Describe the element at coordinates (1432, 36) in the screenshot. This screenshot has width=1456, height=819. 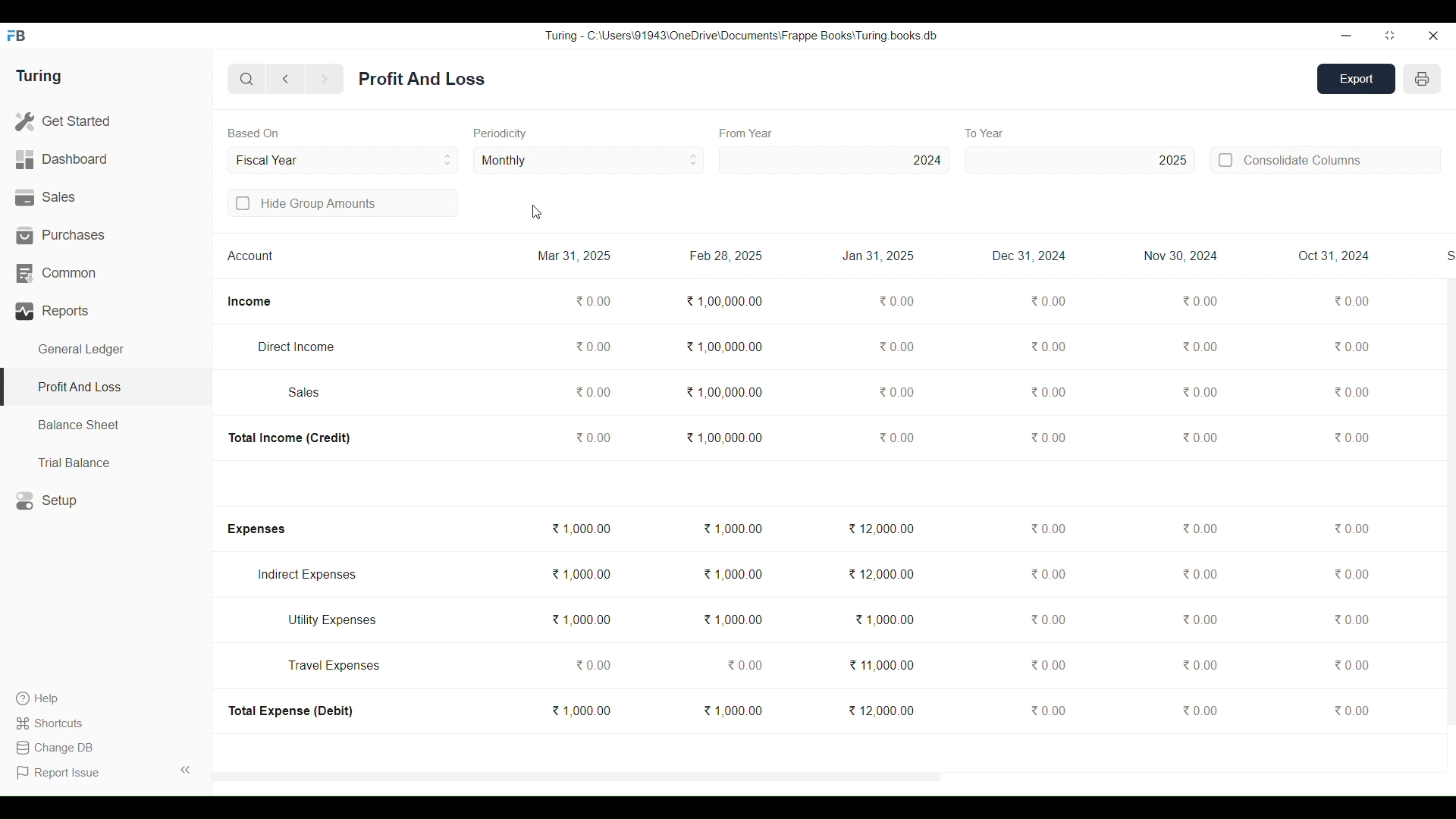
I see `Close` at that location.